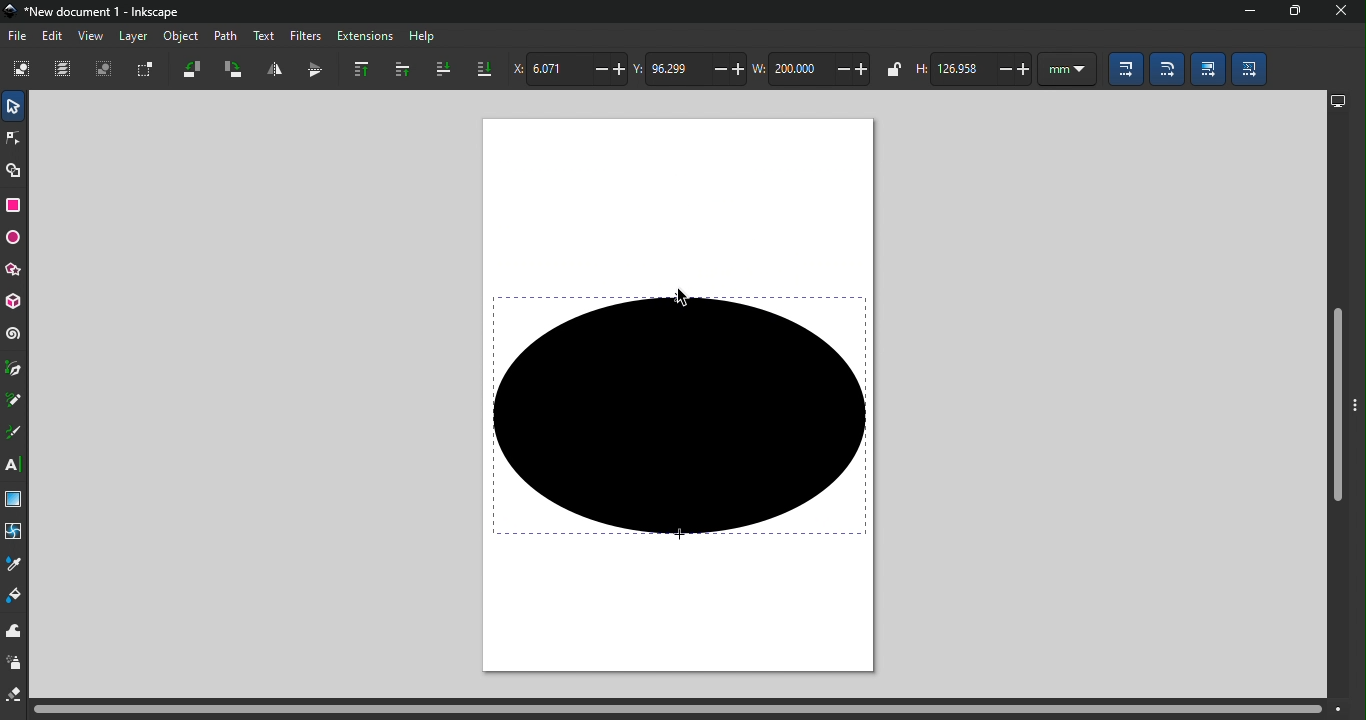 This screenshot has width=1366, height=720. I want to click on unit, so click(1065, 68).